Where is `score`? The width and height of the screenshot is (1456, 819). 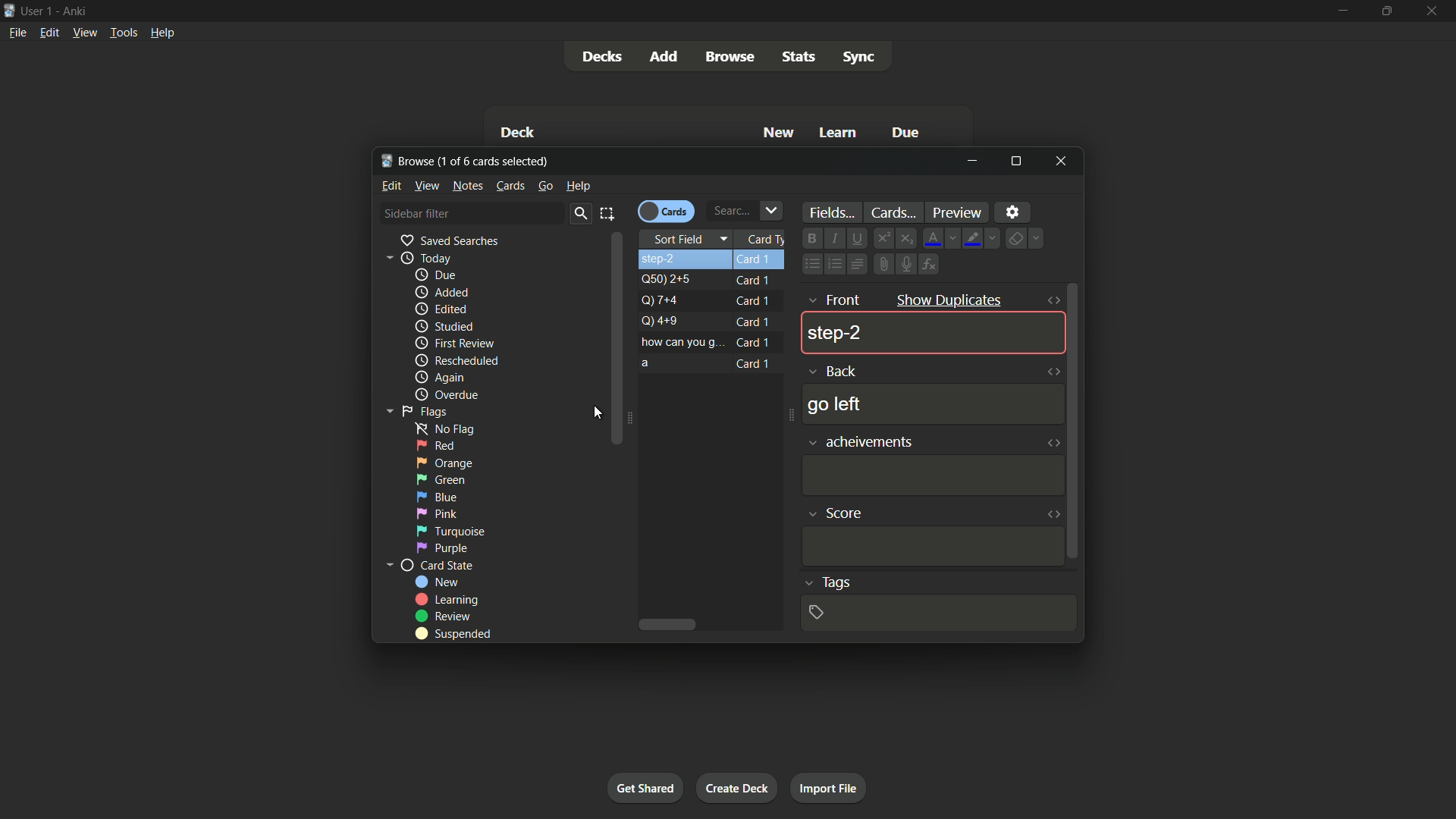
score is located at coordinates (836, 510).